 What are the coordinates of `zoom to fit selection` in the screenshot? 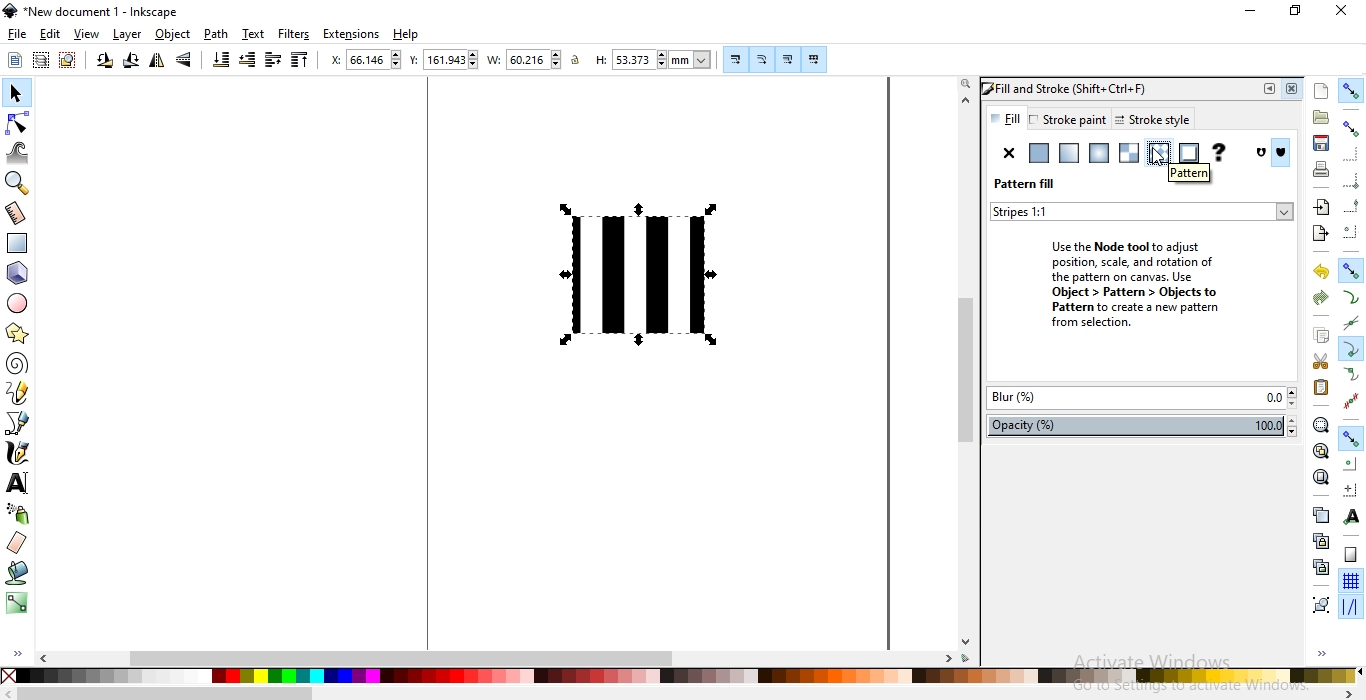 It's located at (1321, 424).